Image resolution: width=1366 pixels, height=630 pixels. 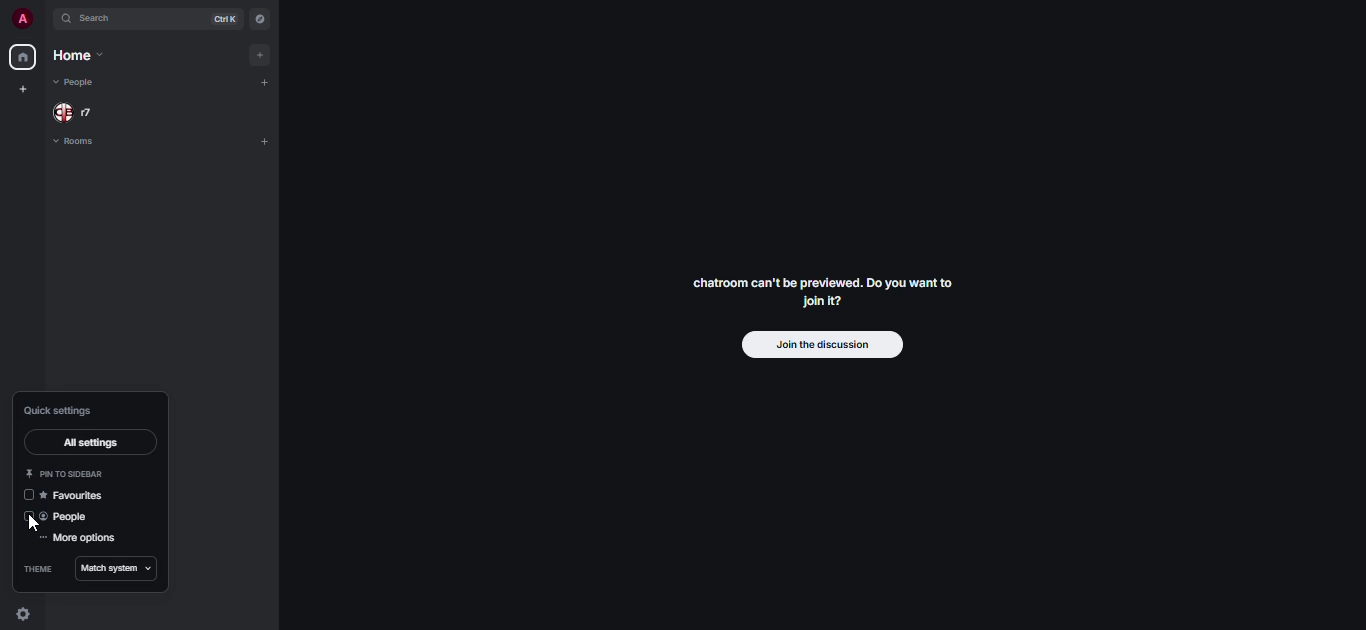 I want to click on add, so click(x=267, y=140).